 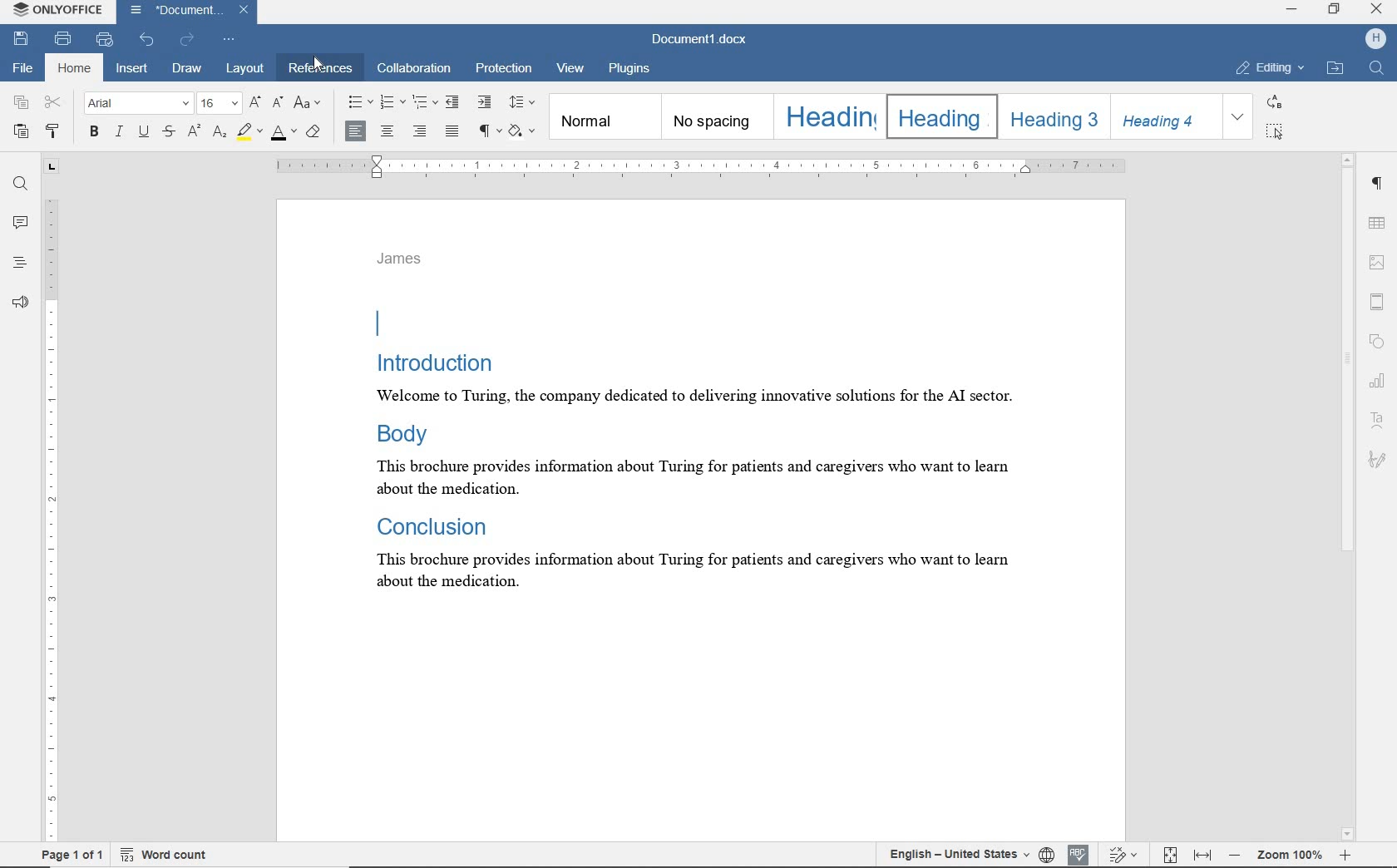 What do you see at coordinates (230, 40) in the screenshot?
I see `customize quick access toolbar` at bounding box center [230, 40].